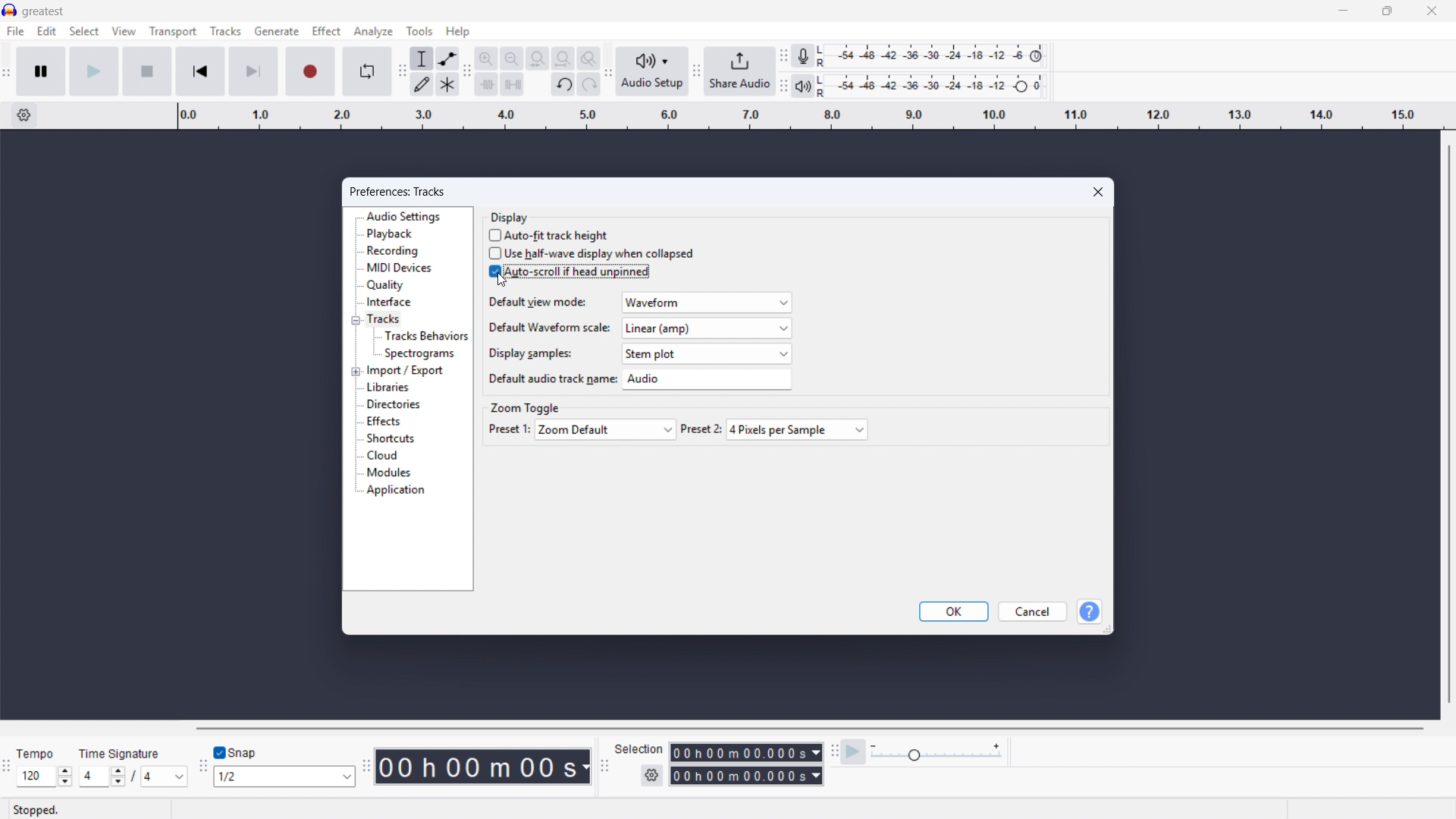 The width and height of the screenshot is (1456, 819). What do you see at coordinates (226, 32) in the screenshot?
I see `Tracks ` at bounding box center [226, 32].